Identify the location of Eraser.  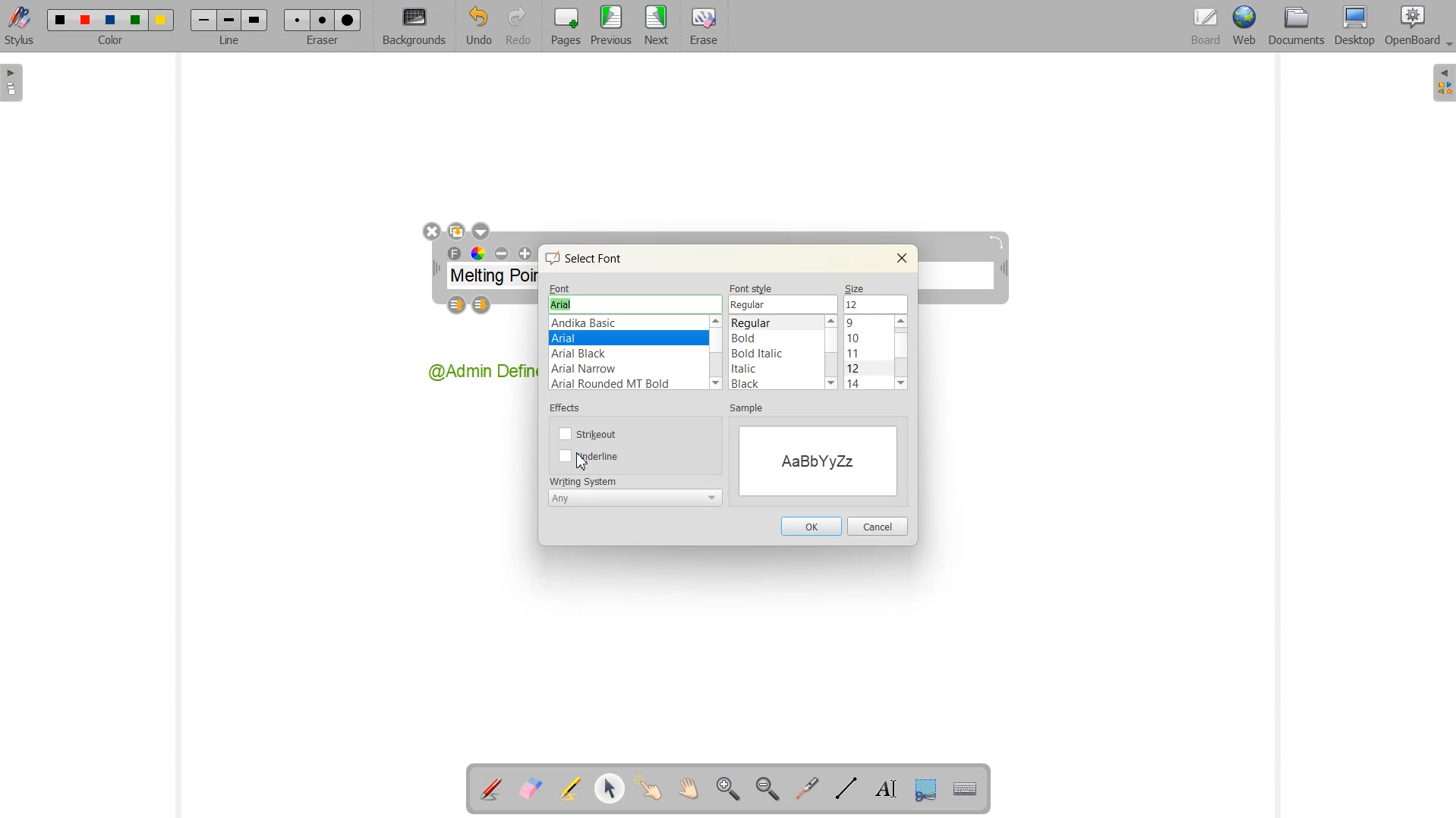
(701, 27).